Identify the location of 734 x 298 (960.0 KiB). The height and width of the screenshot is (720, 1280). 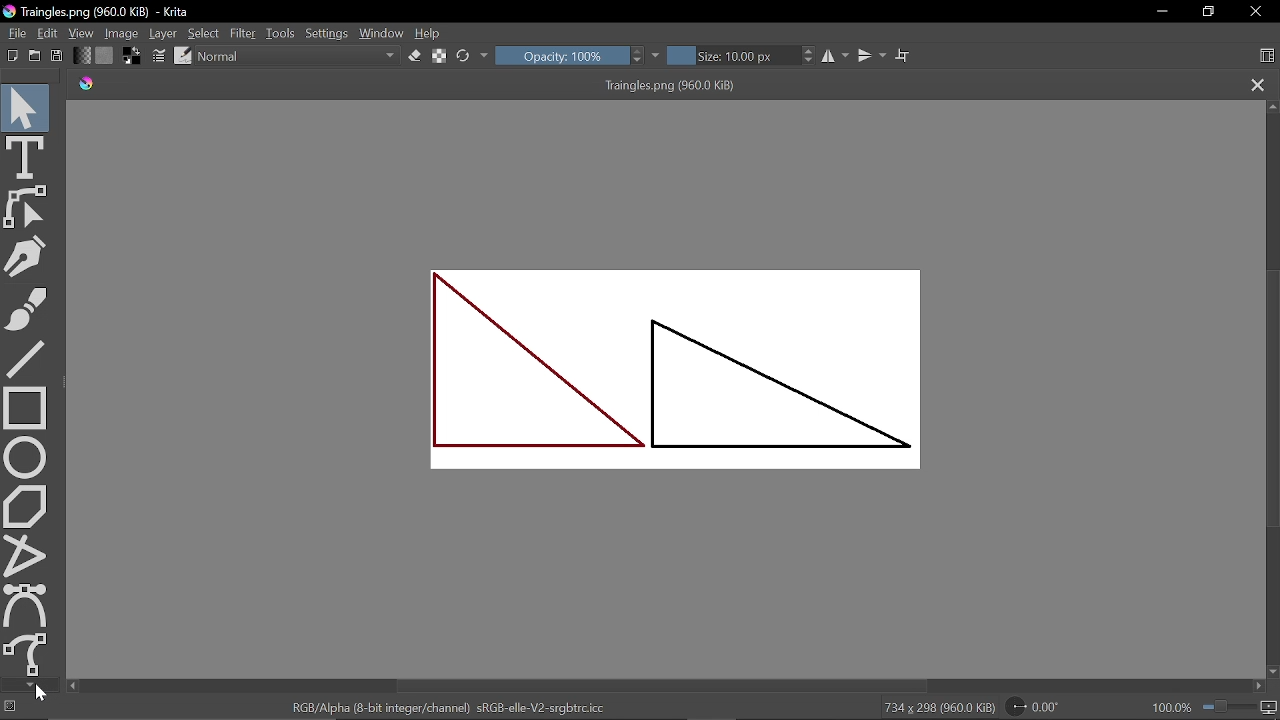
(938, 708).